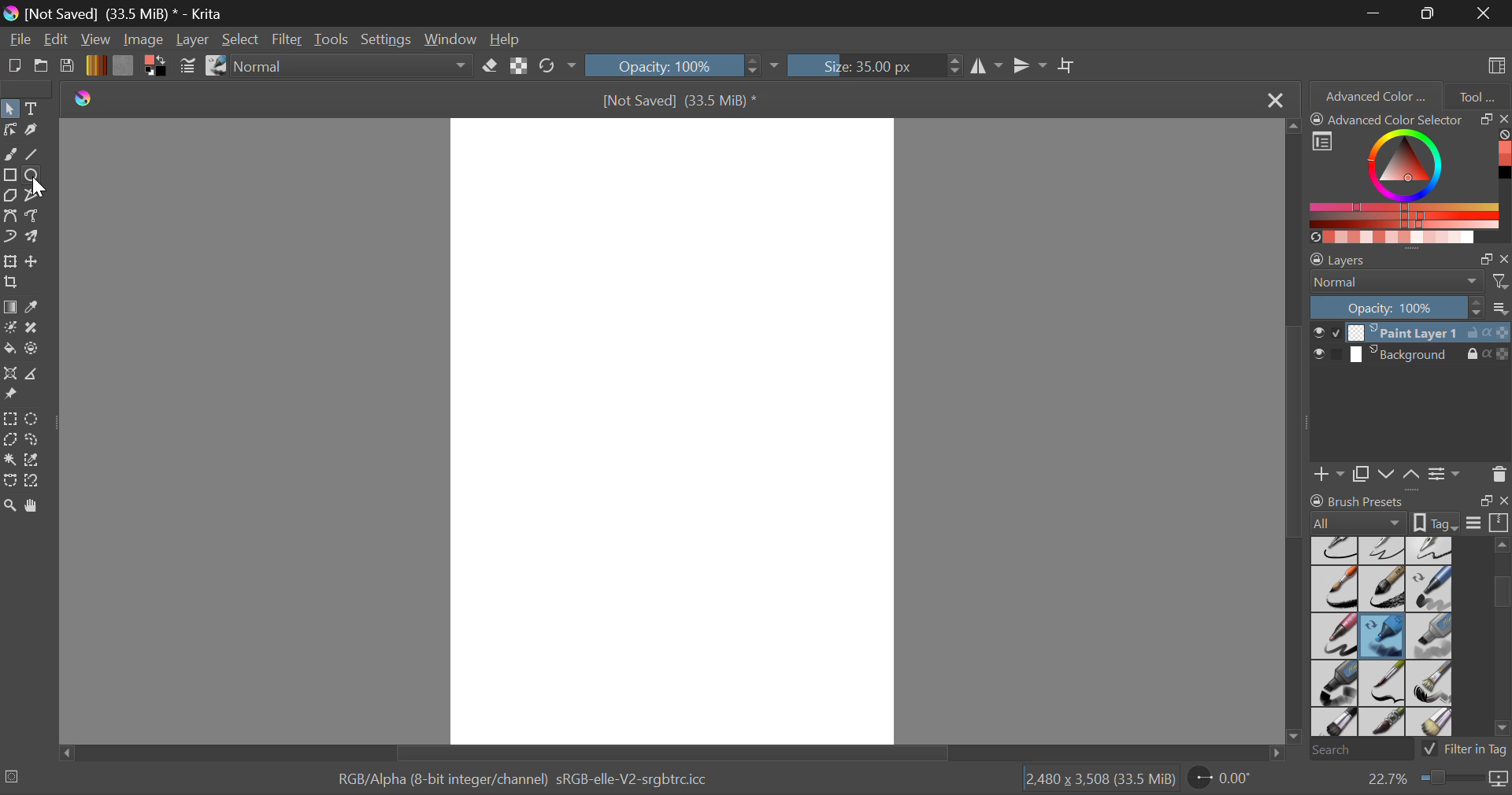 The height and width of the screenshot is (795, 1512). Describe the element at coordinates (1466, 748) in the screenshot. I see `Filter in Tag` at that location.